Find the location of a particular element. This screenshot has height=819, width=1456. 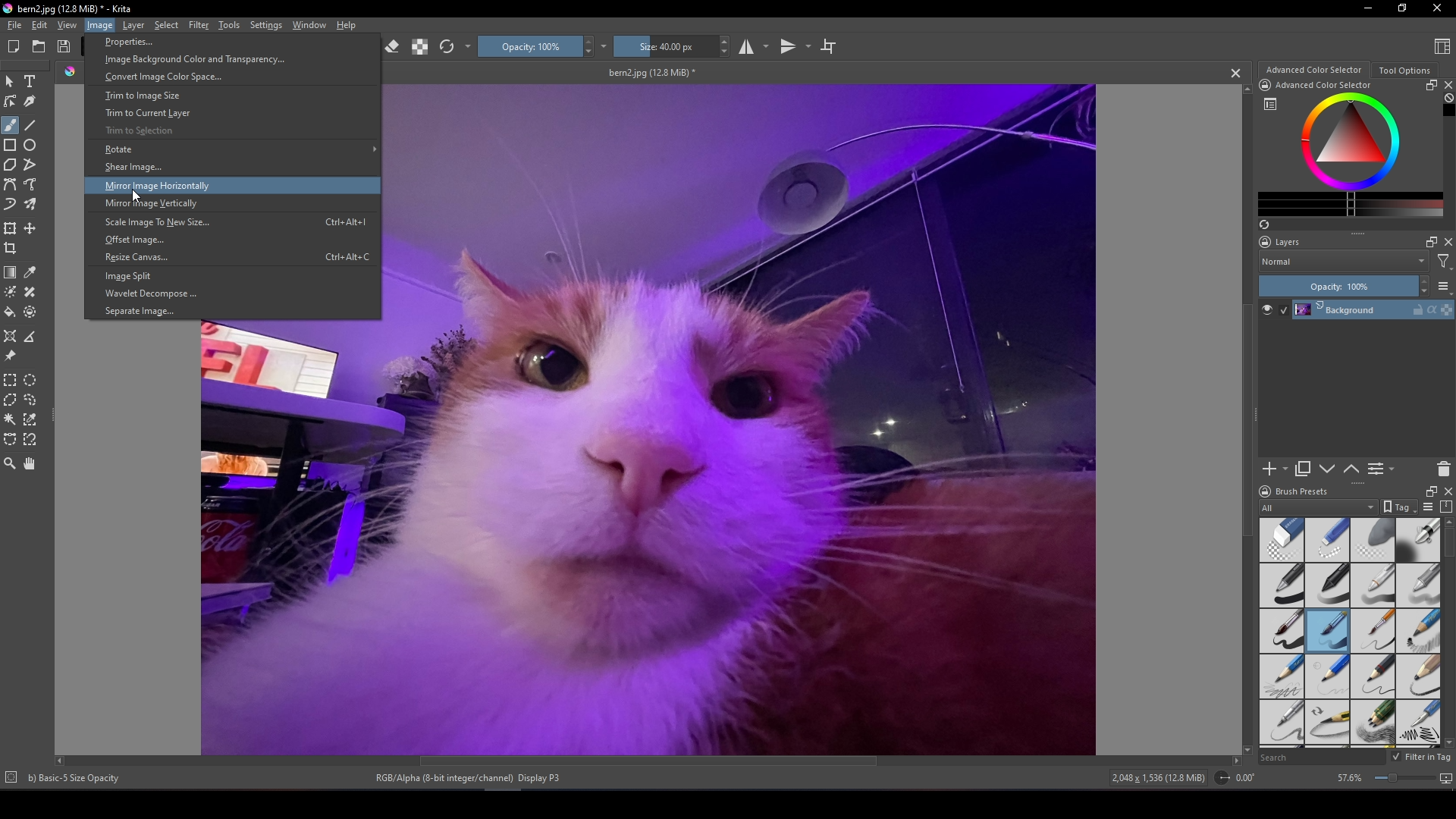

Wavelet decompose is located at coordinates (234, 293).